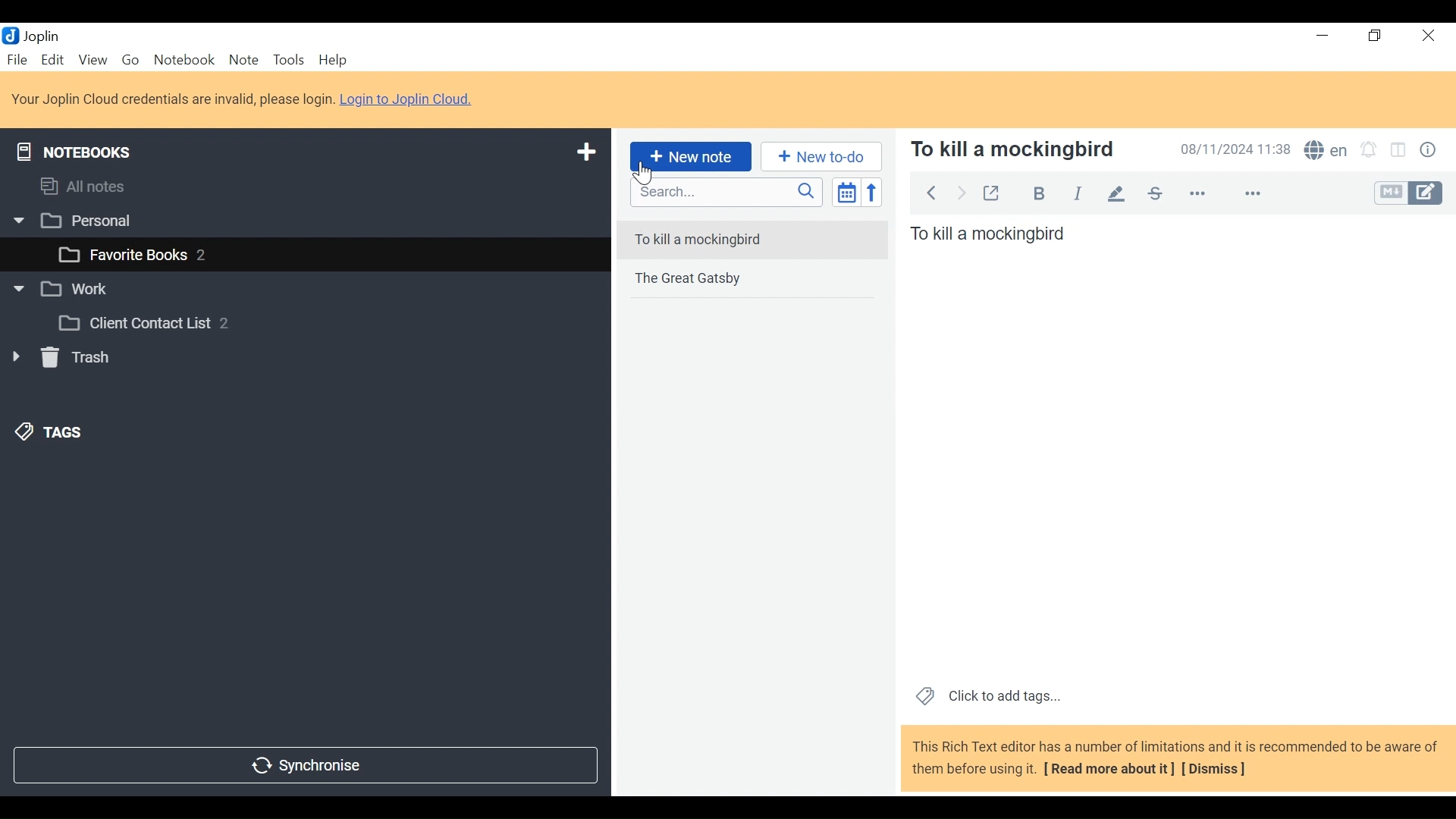  I want to click on New Note, so click(691, 156).